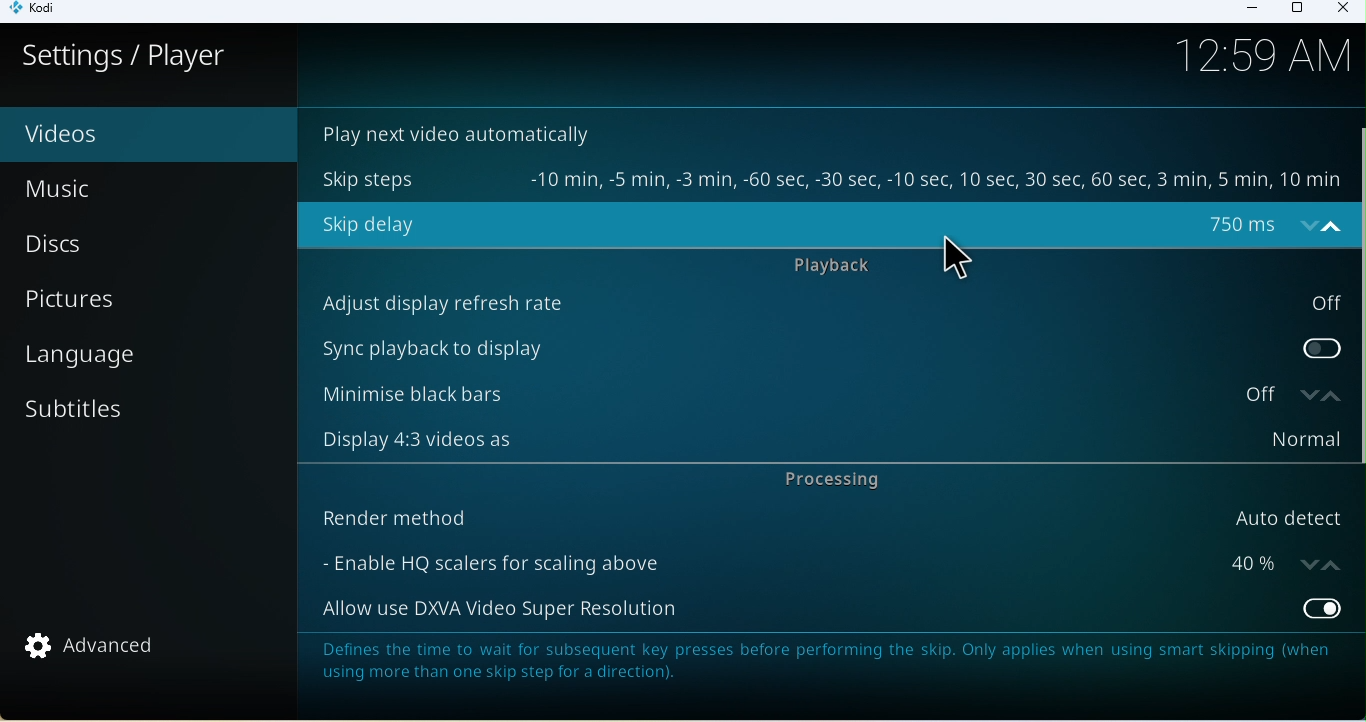  Describe the element at coordinates (831, 673) in the screenshot. I see `Note` at that location.